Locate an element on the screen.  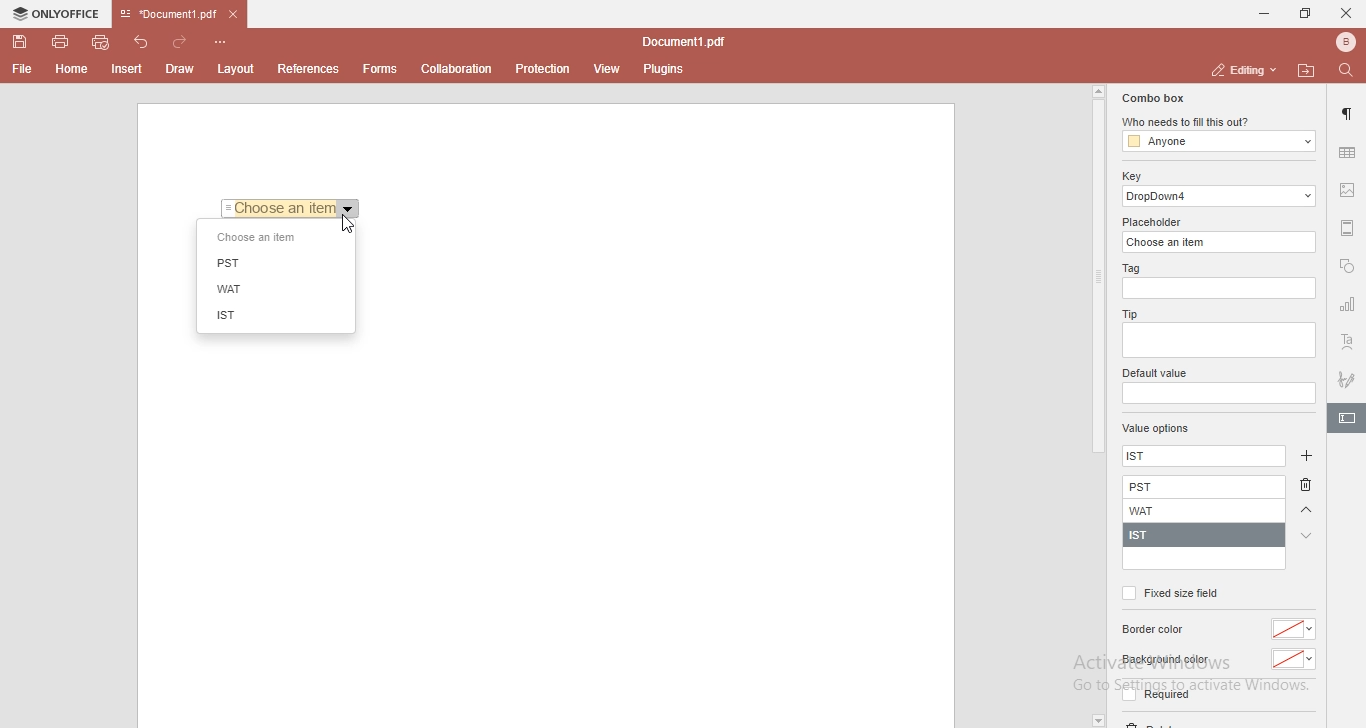
placeholder is located at coordinates (1155, 222).